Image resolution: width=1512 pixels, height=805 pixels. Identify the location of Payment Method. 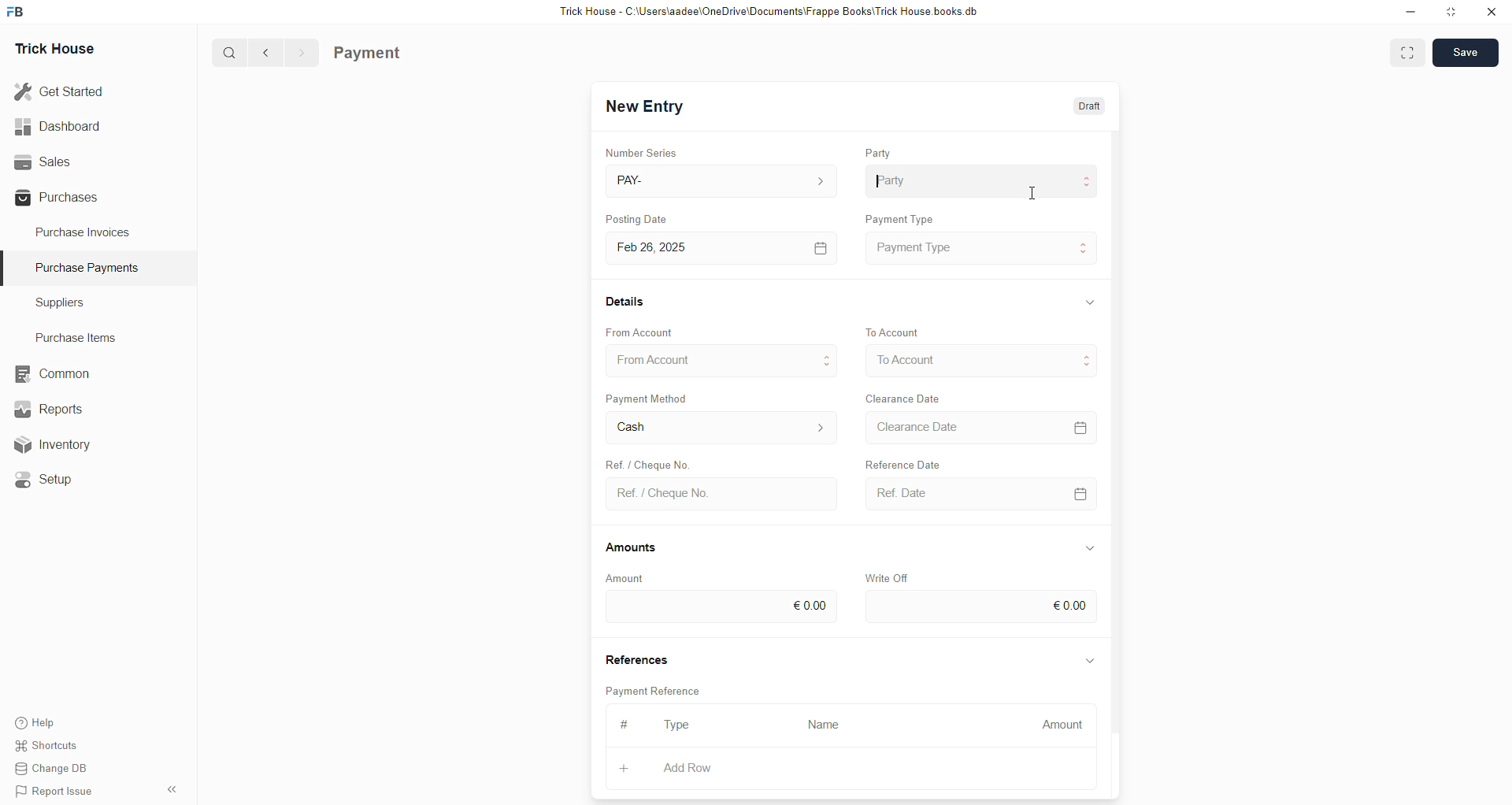
(648, 398).